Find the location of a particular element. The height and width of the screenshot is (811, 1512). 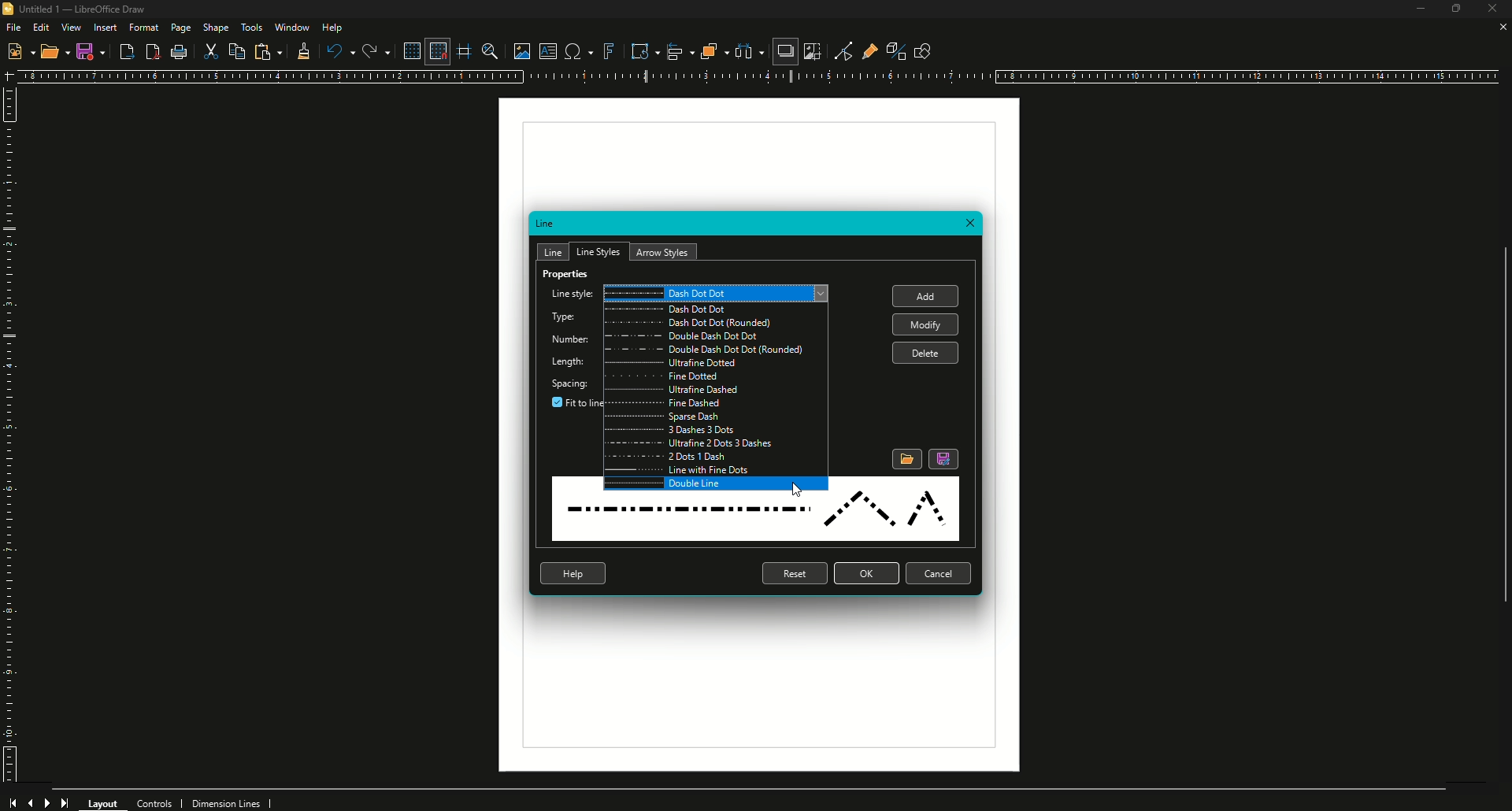

Help is located at coordinates (334, 28).